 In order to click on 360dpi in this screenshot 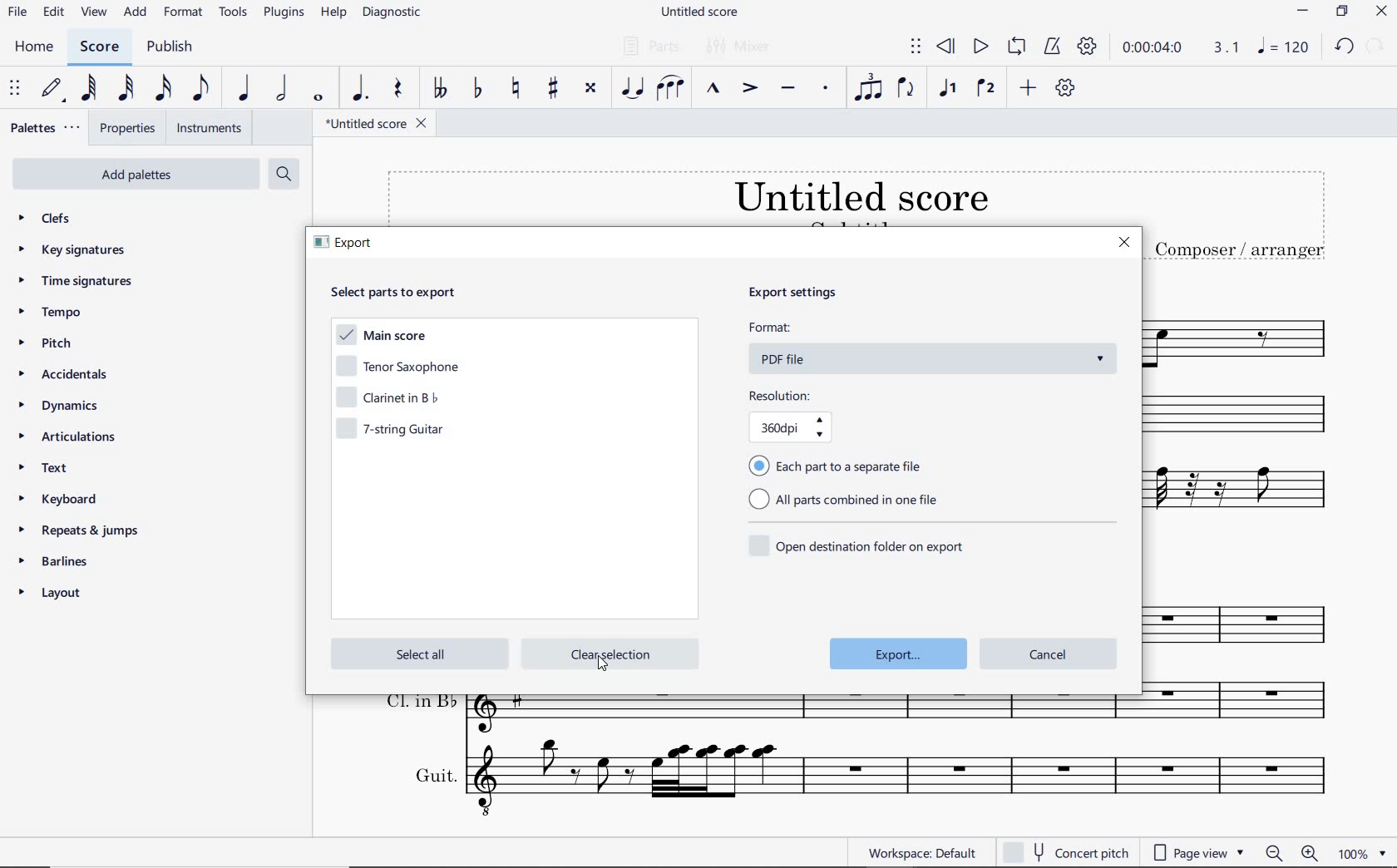, I will do `click(799, 431)`.